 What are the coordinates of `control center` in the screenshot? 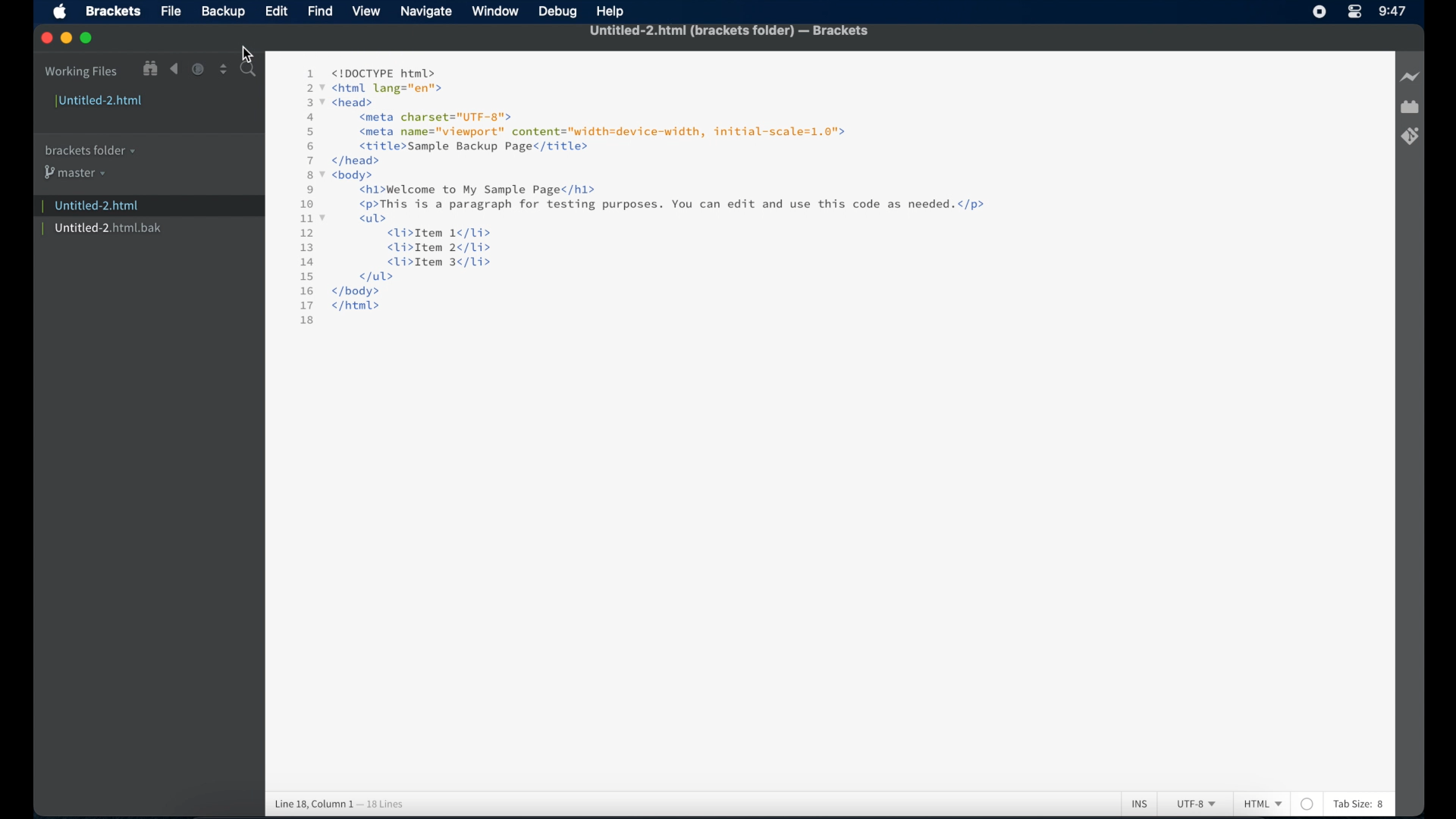 It's located at (1354, 12).